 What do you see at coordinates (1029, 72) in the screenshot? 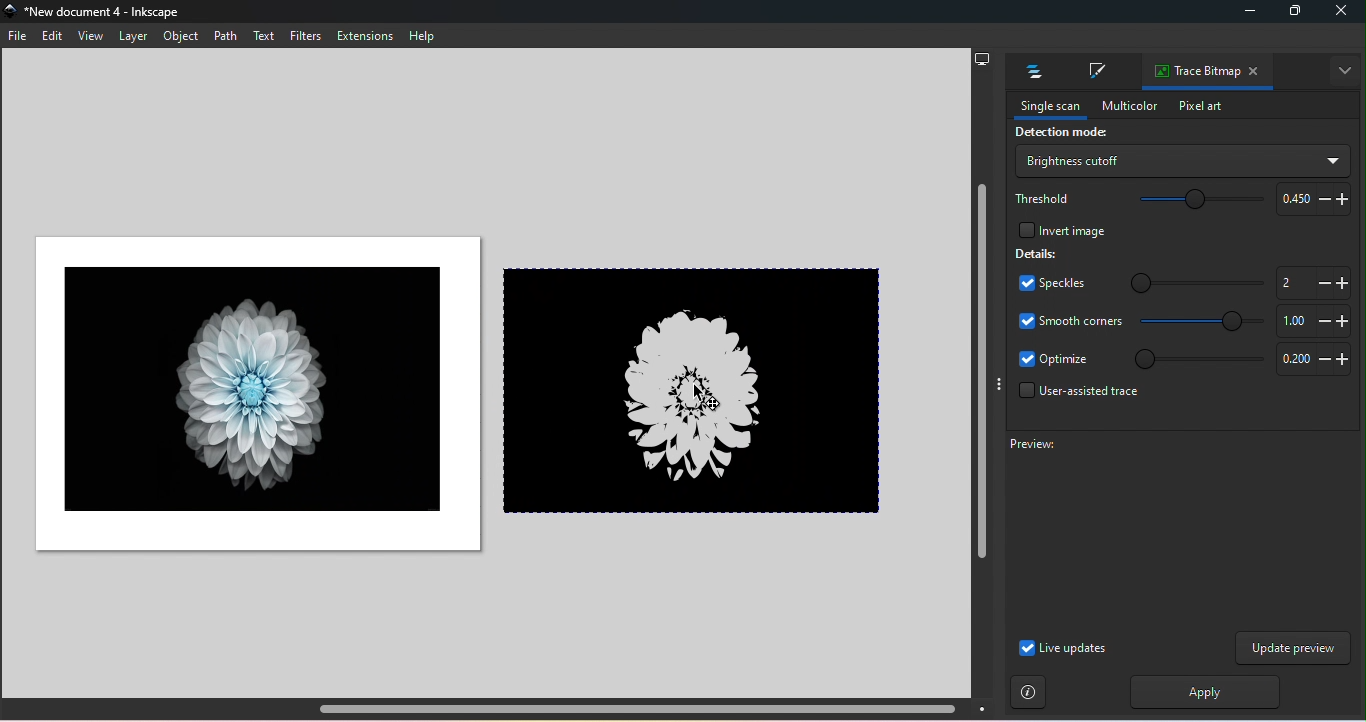
I see `Layers and objects` at bounding box center [1029, 72].